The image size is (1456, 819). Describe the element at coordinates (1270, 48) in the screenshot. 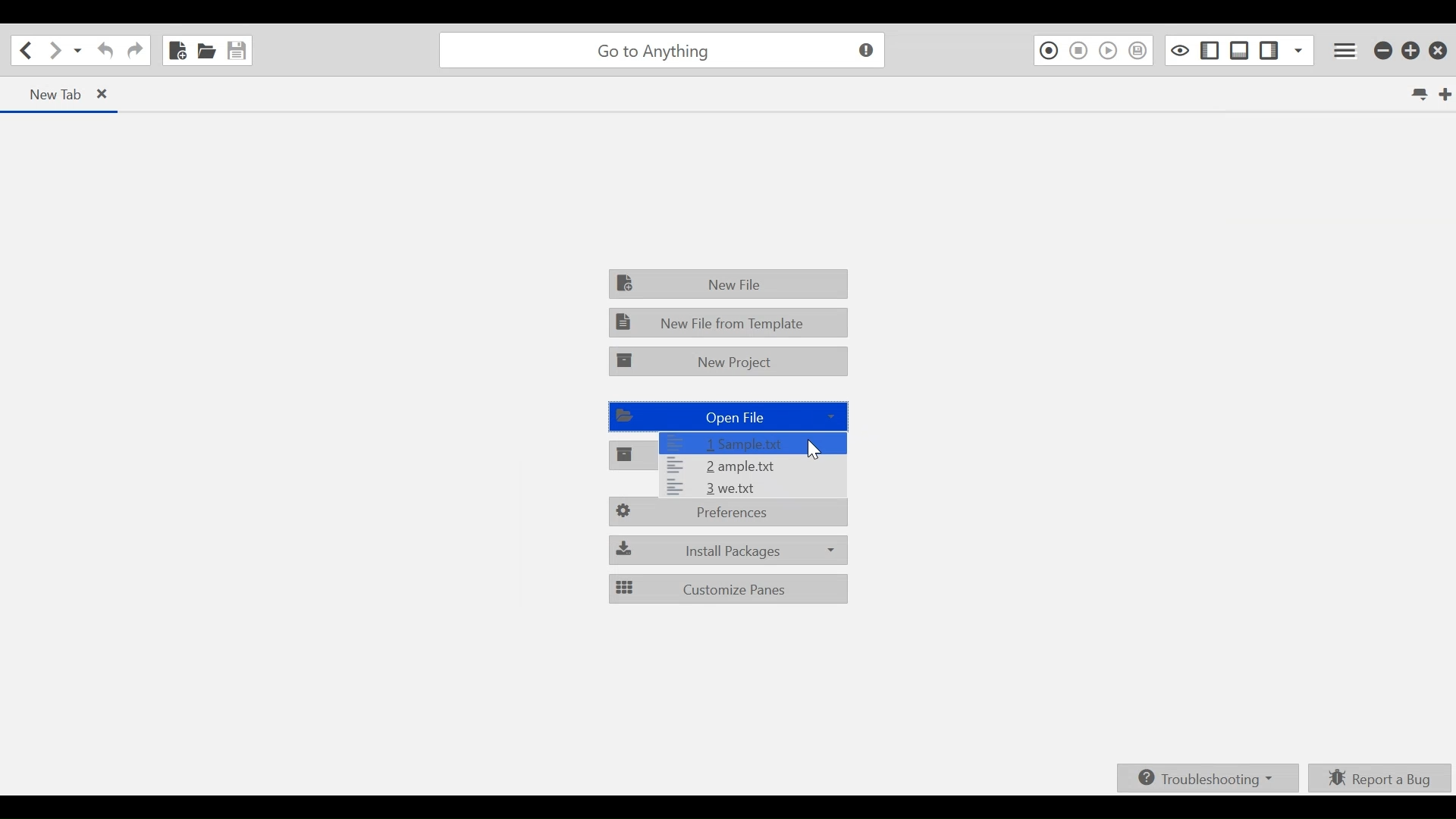

I see `Show/Hide Left Panel` at that location.